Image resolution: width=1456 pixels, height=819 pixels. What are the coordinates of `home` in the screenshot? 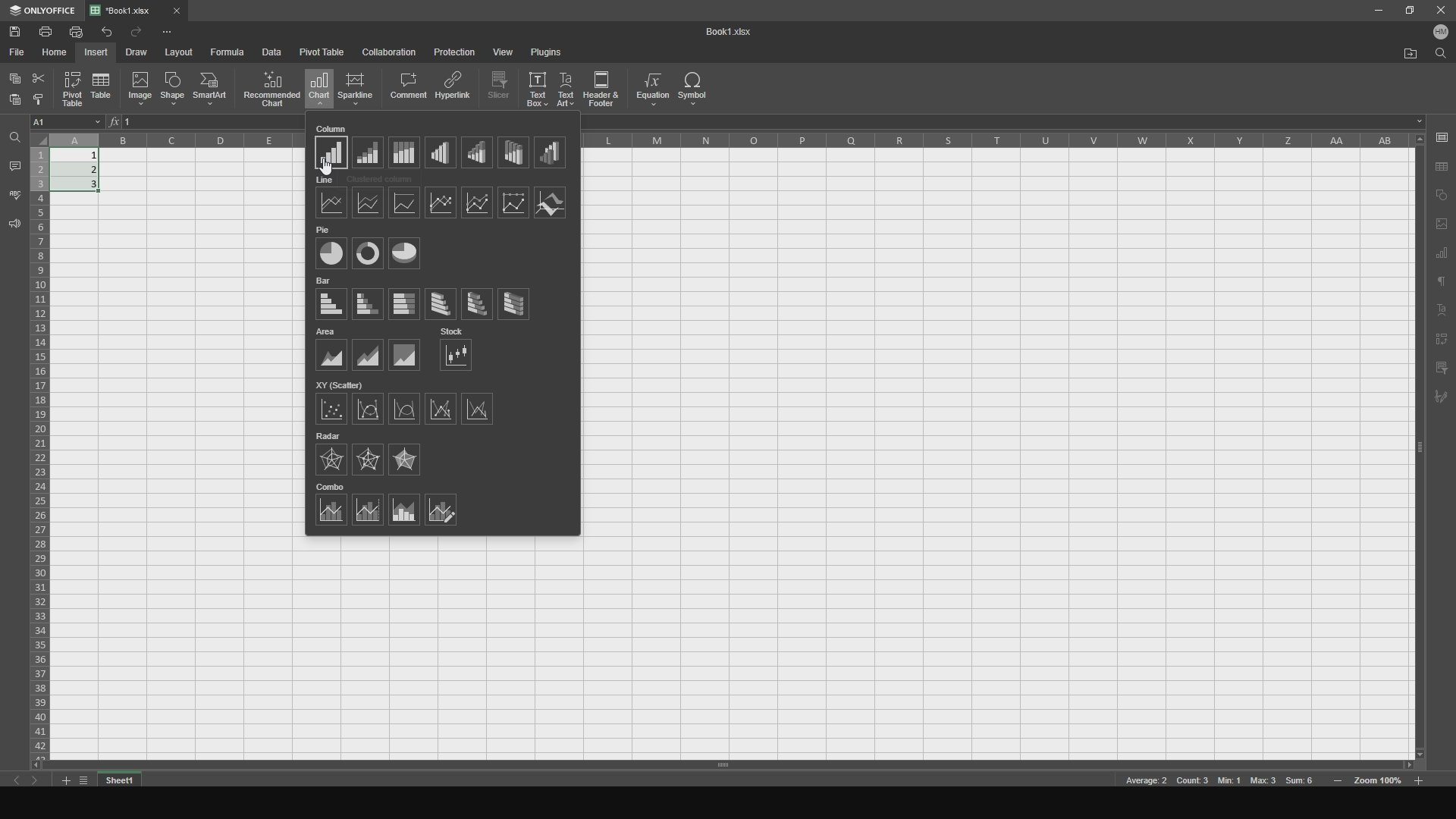 It's located at (56, 53).